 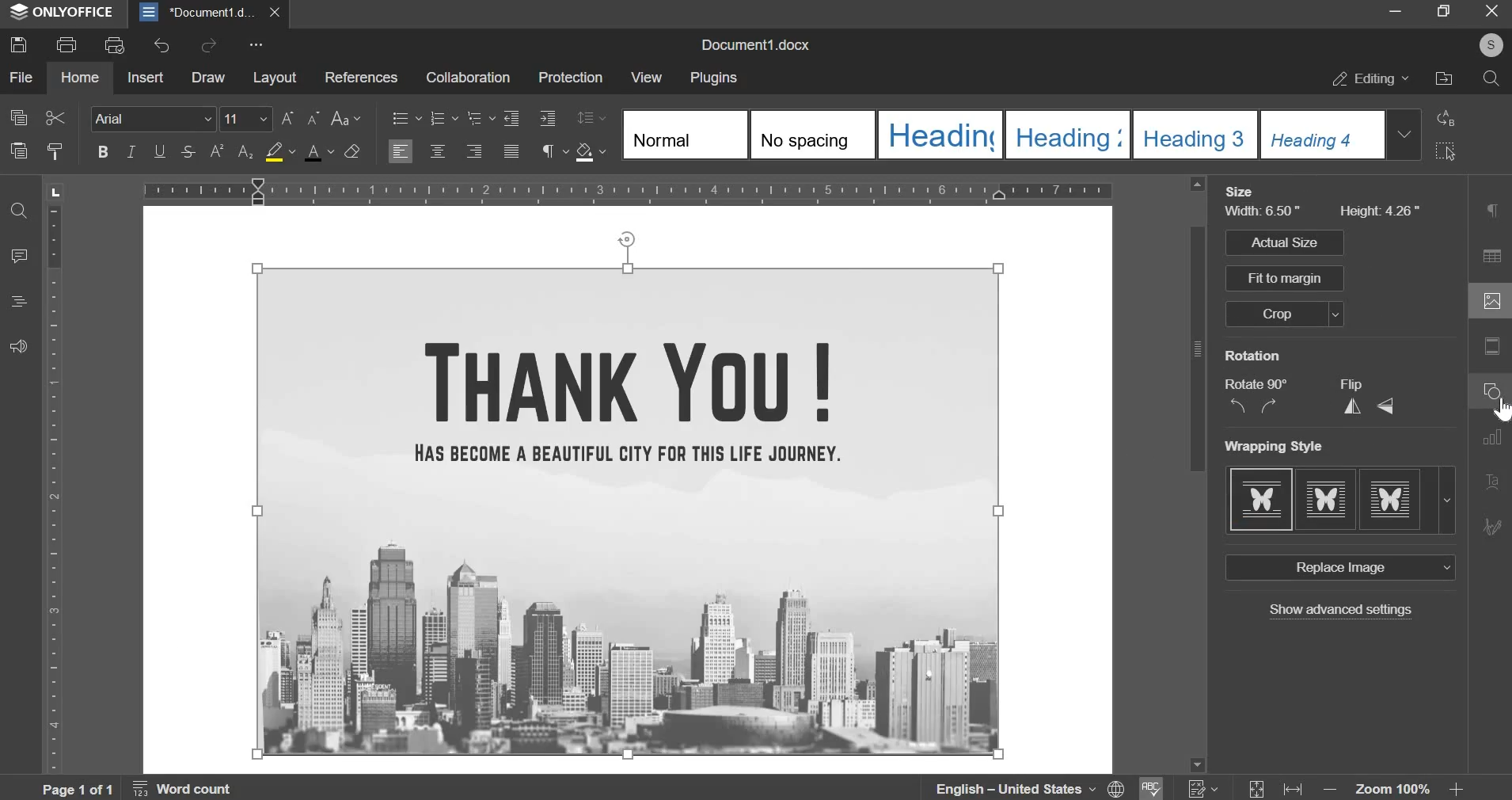 I want to click on collaboration, so click(x=468, y=77).